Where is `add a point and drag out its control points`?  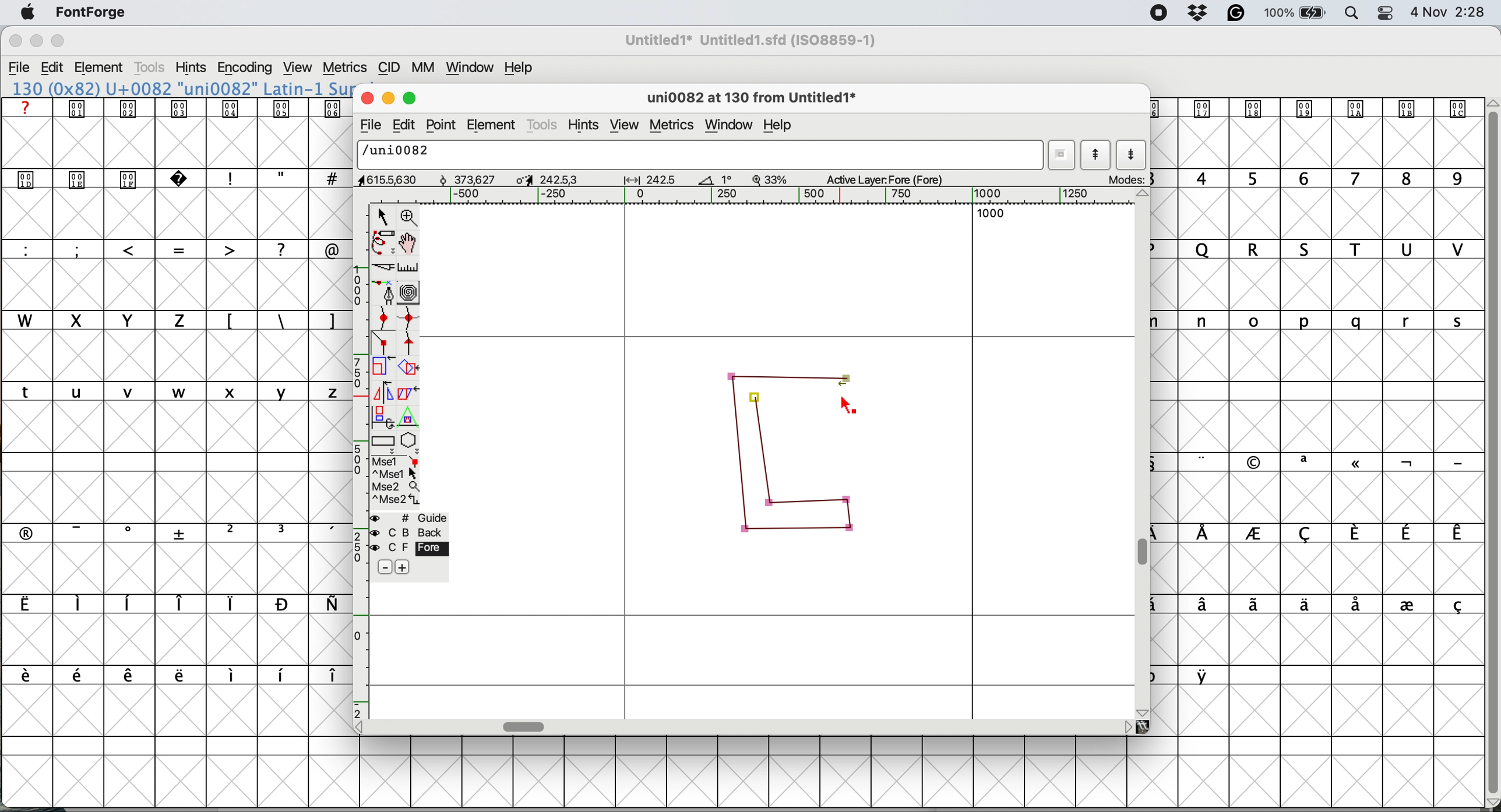
add a point and drag out its control points is located at coordinates (386, 292).